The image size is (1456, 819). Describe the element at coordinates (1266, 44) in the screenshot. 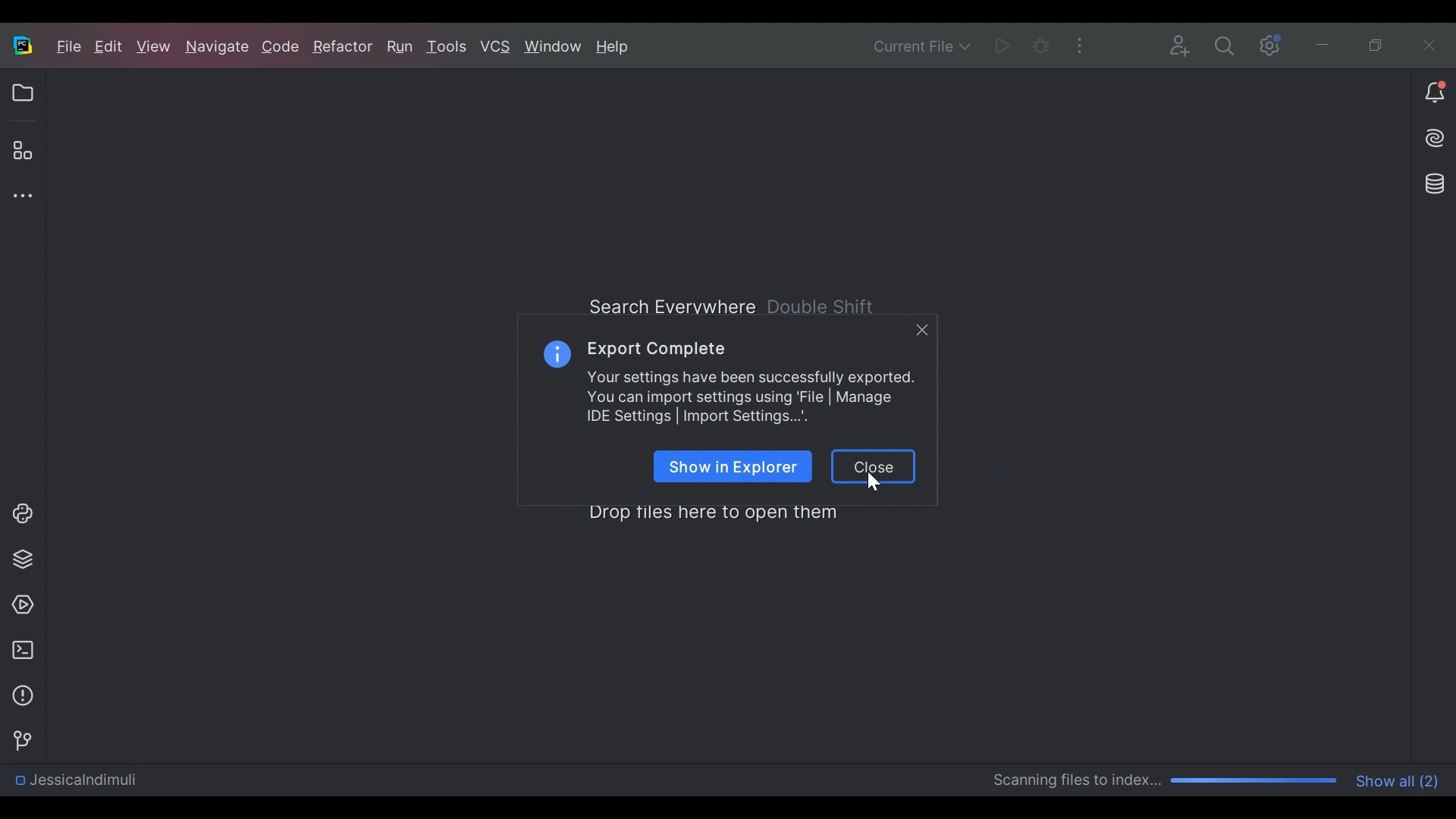

I see `Settings` at that location.